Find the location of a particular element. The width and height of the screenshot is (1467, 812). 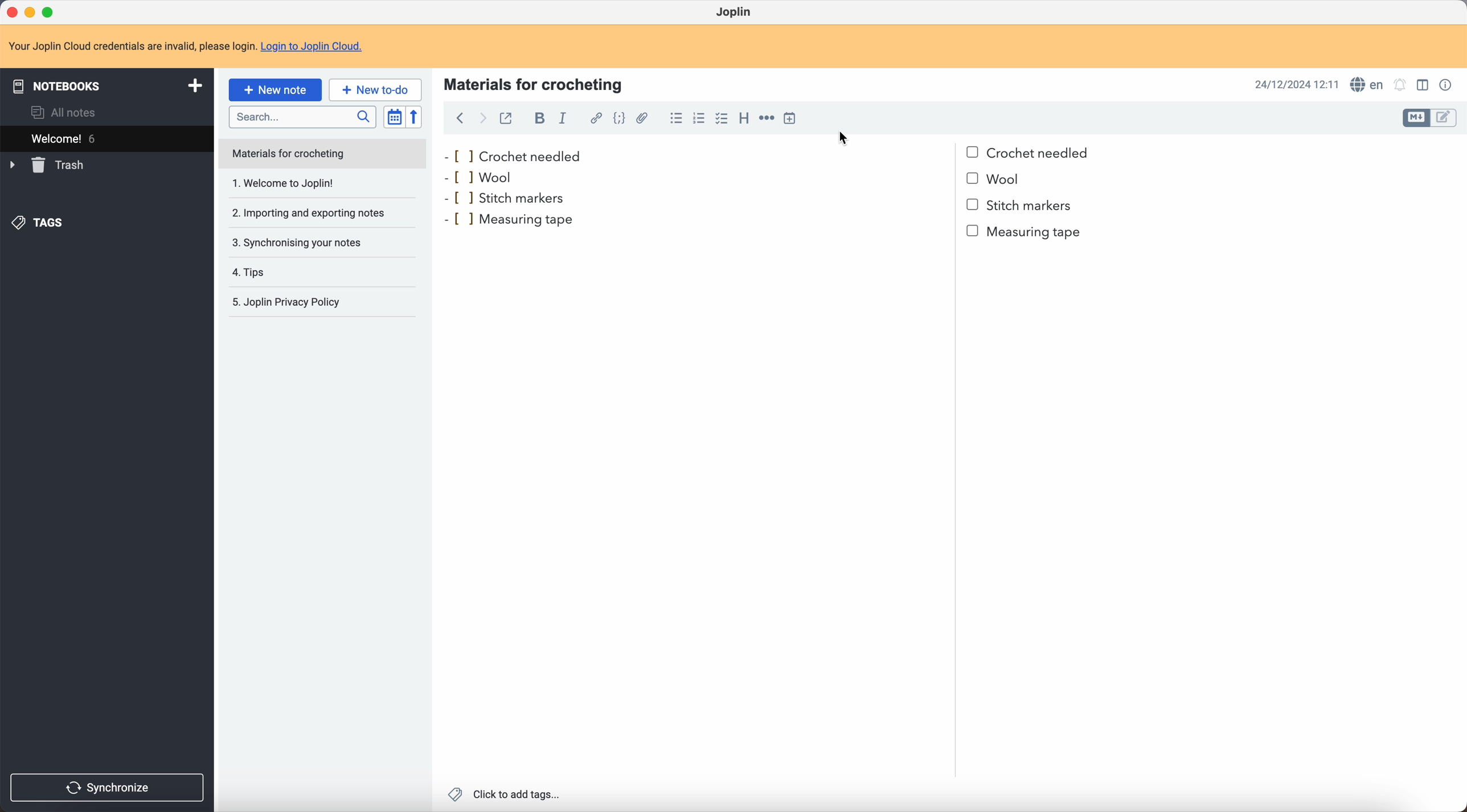

Joplin privacy policy is located at coordinates (293, 304).